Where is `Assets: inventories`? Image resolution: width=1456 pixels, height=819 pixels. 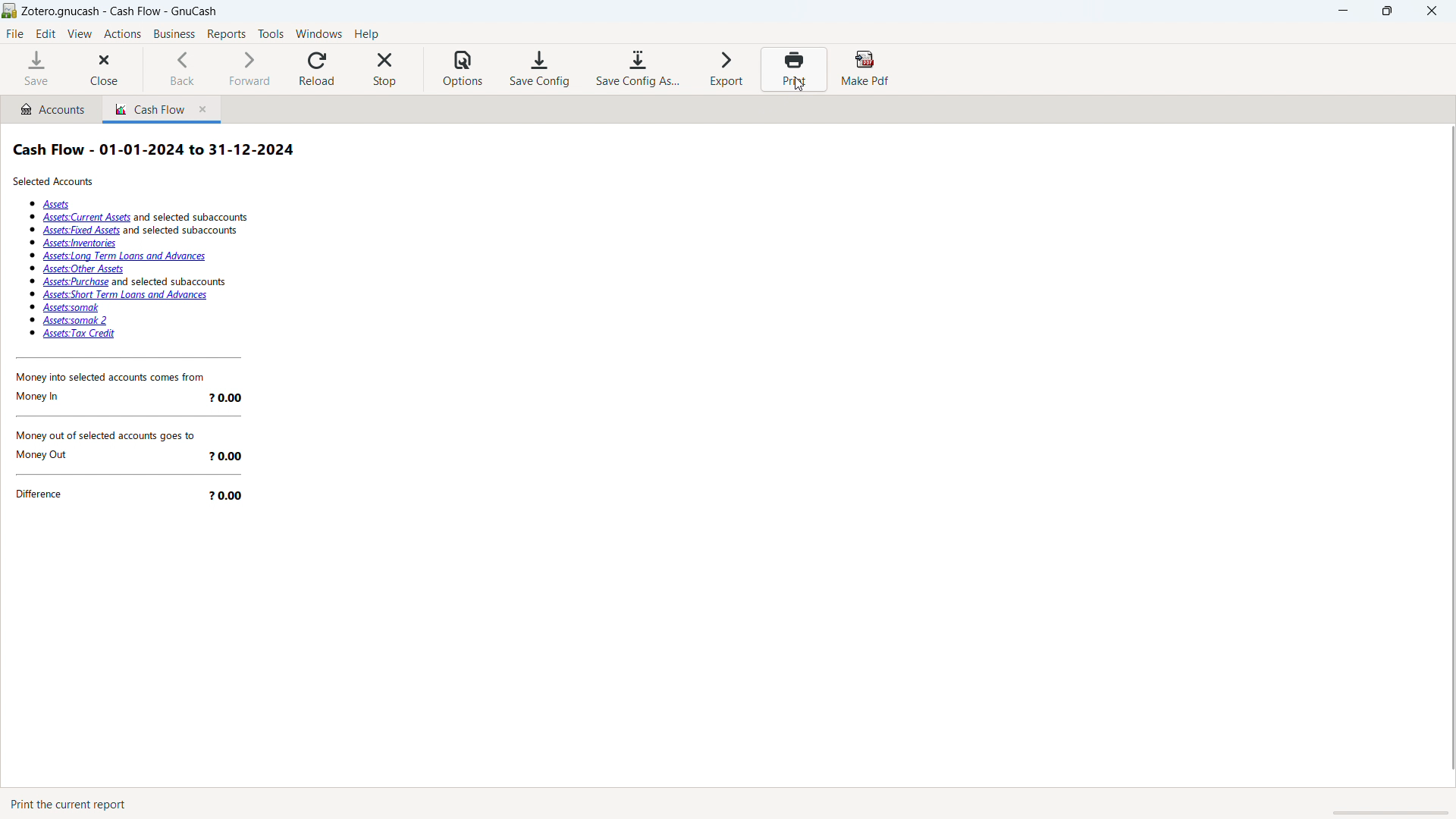 Assets: inventories is located at coordinates (79, 244).